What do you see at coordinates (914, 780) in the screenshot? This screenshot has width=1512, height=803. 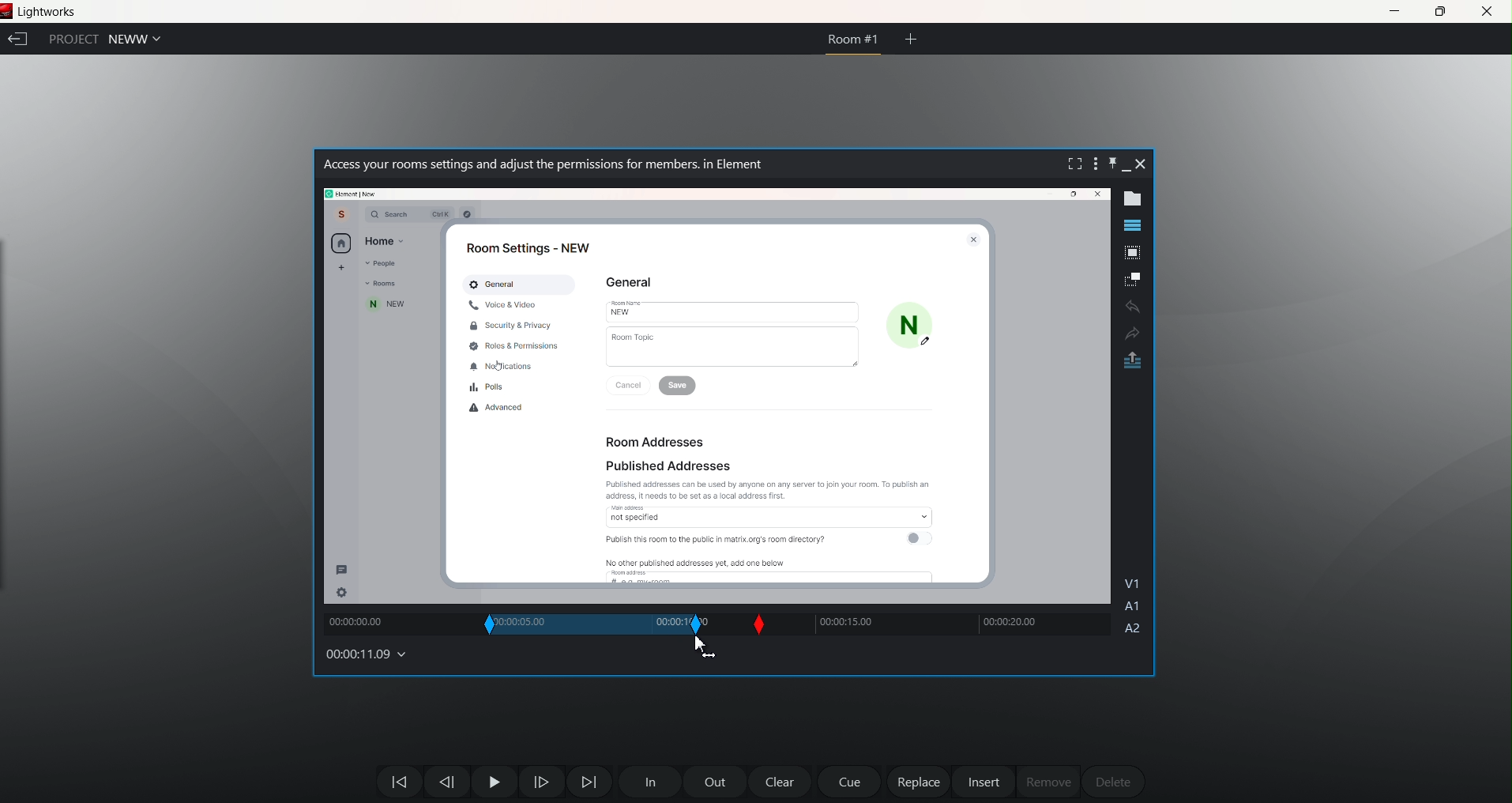 I see `replace` at bounding box center [914, 780].